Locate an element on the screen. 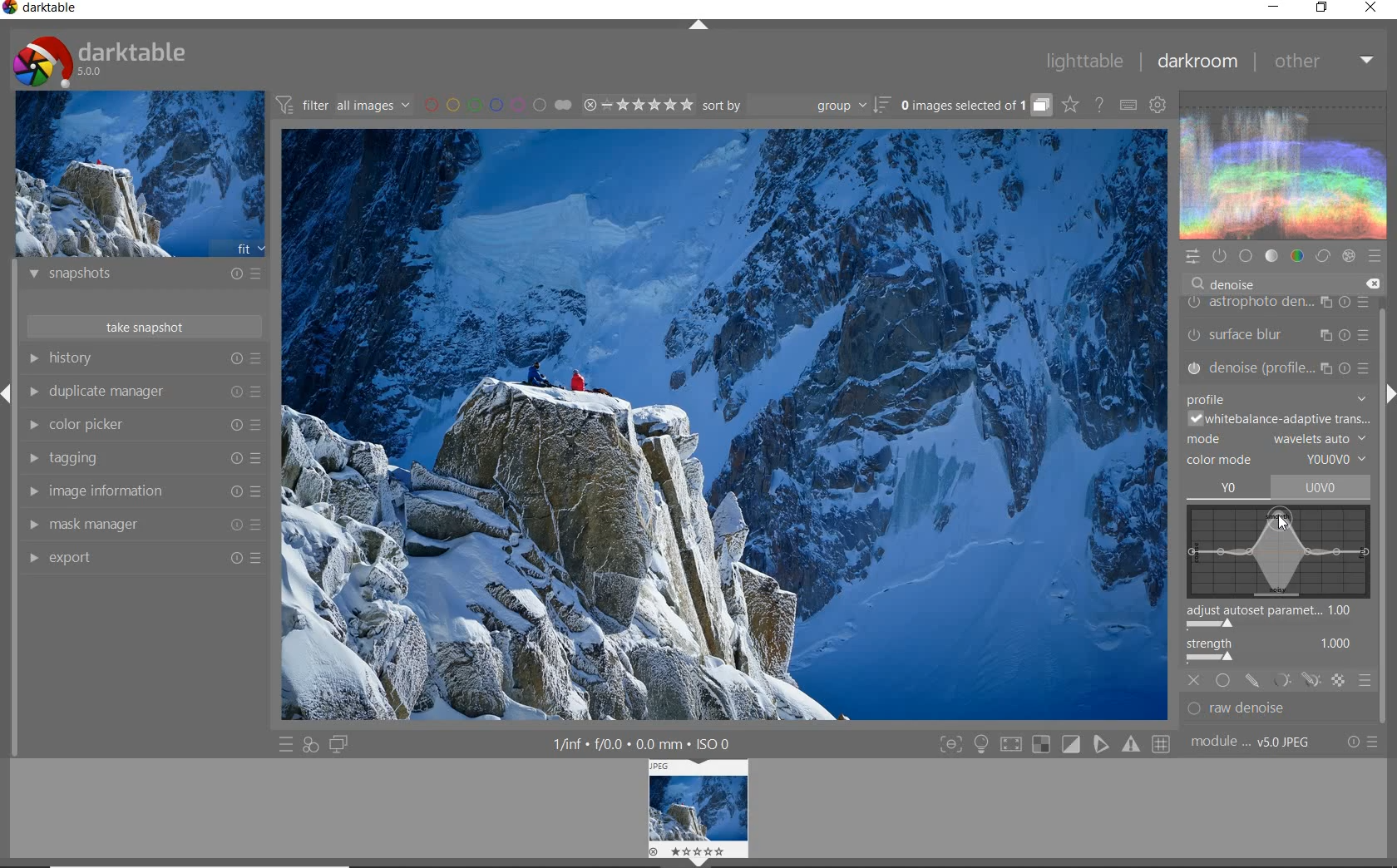 The height and width of the screenshot is (868, 1397). filter all images by module order is located at coordinates (344, 104).